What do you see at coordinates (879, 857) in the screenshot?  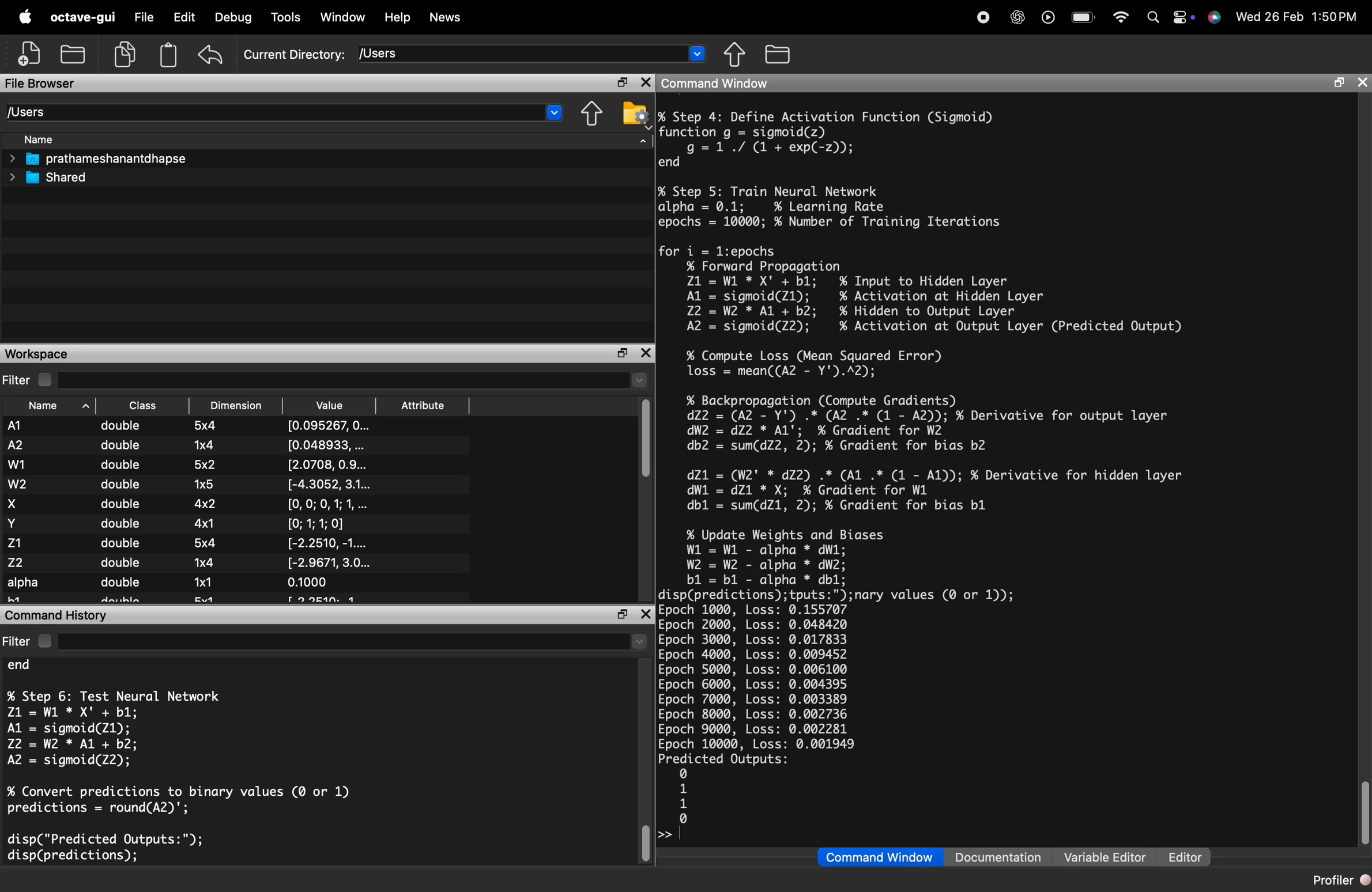 I see `Command Window` at bounding box center [879, 857].